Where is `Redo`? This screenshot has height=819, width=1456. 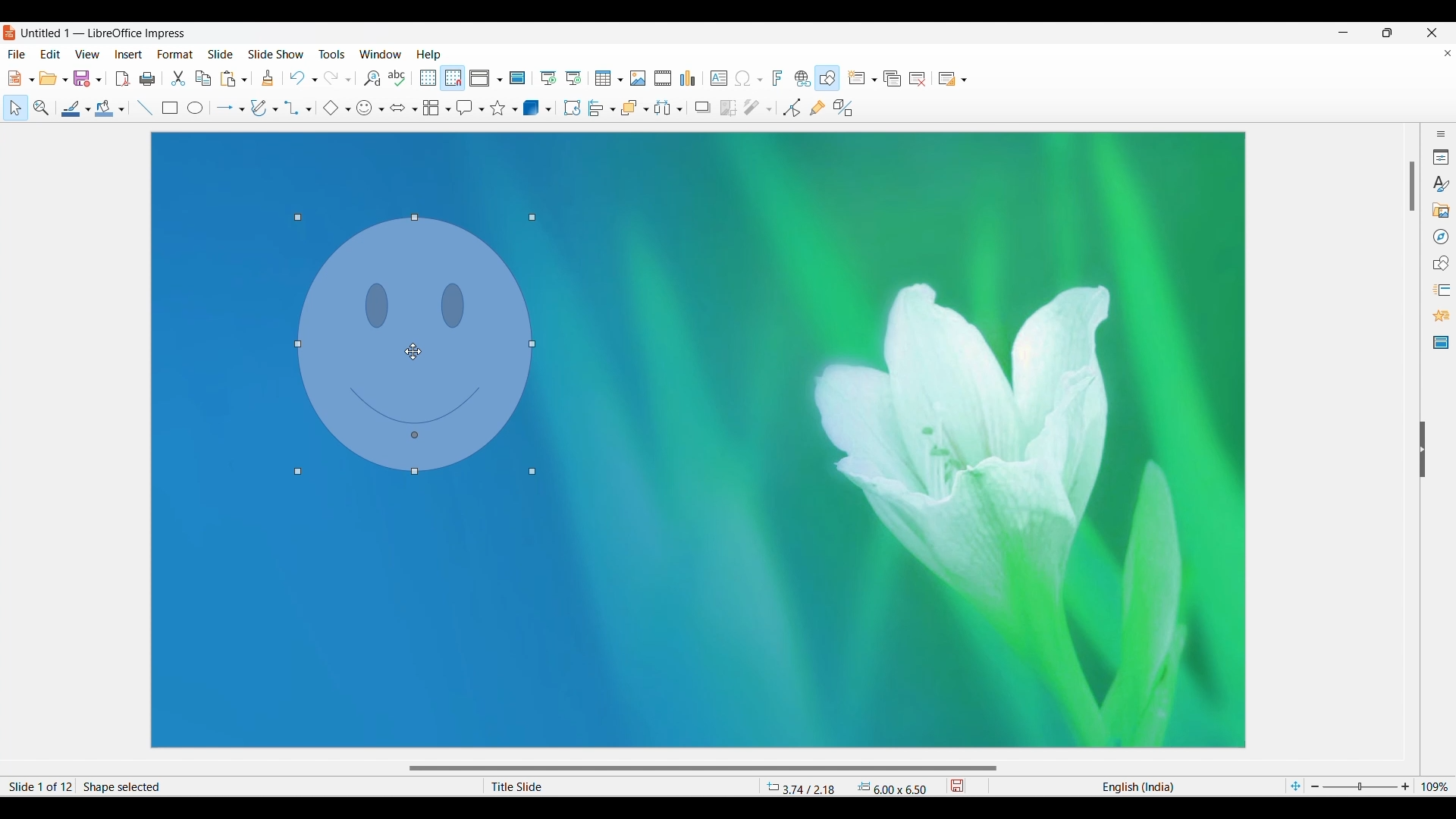
Redo is located at coordinates (332, 78).